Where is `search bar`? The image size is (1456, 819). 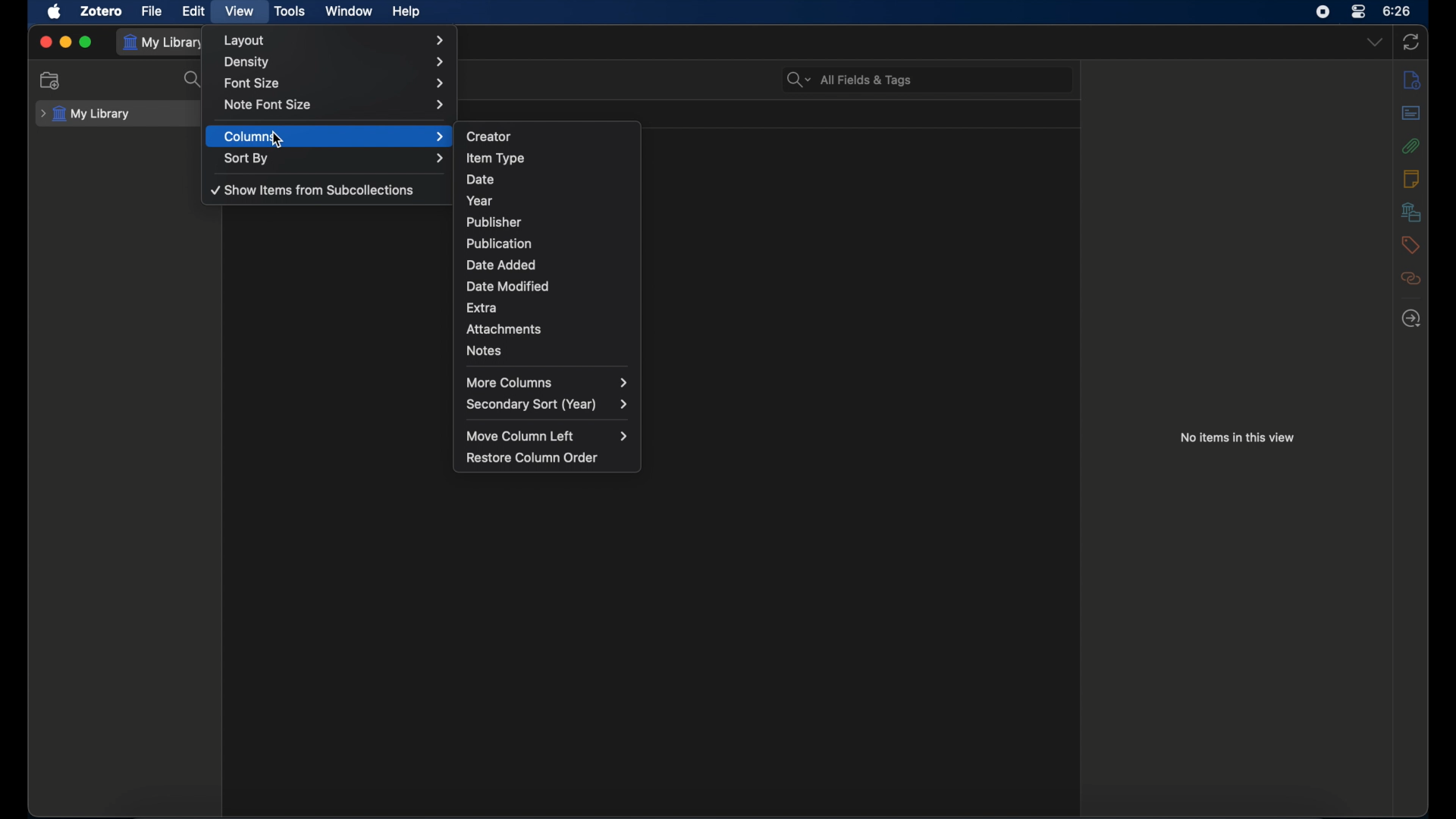
search bar is located at coordinates (848, 80).